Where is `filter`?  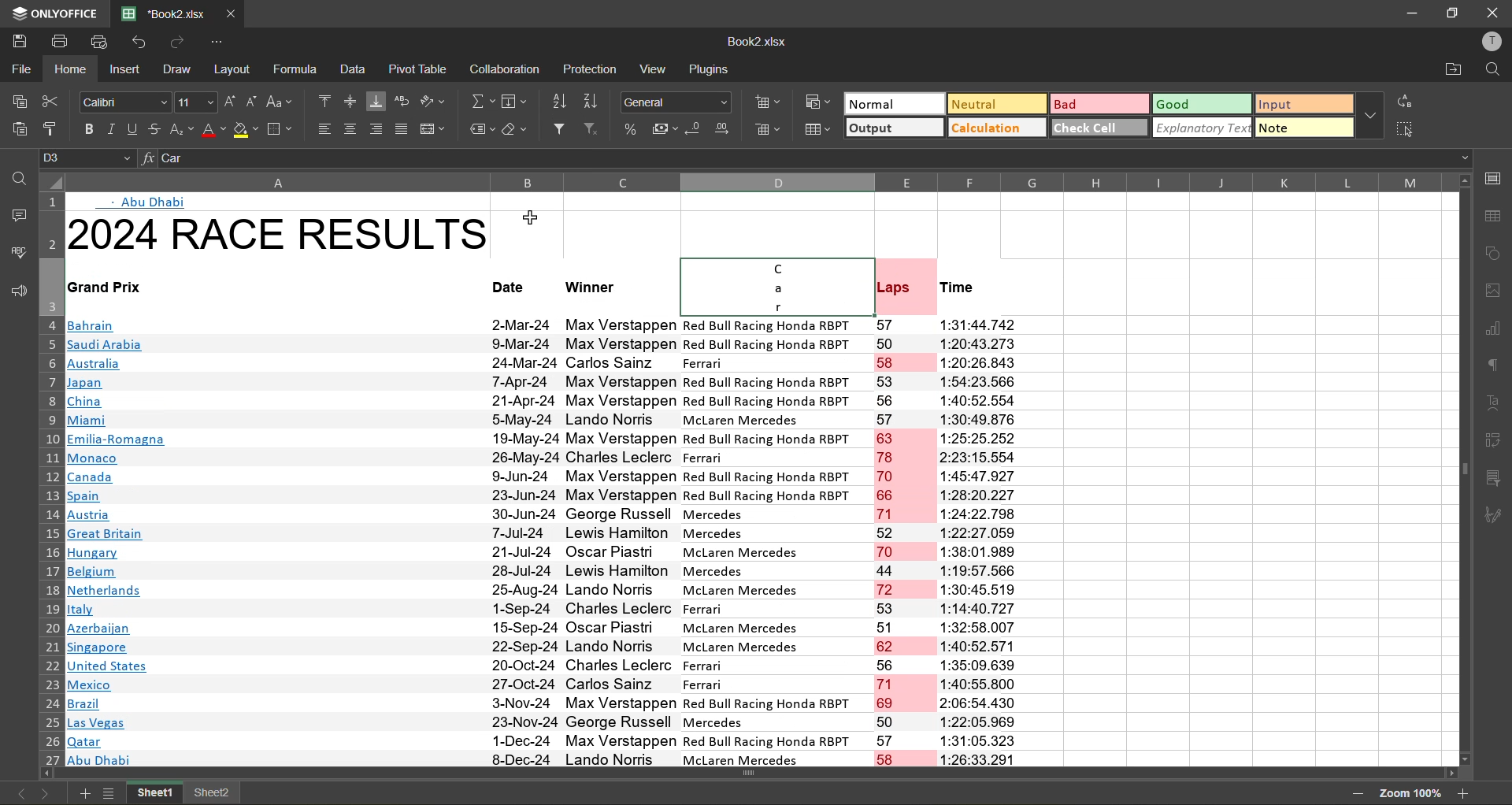
filter is located at coordinates (559, 129).